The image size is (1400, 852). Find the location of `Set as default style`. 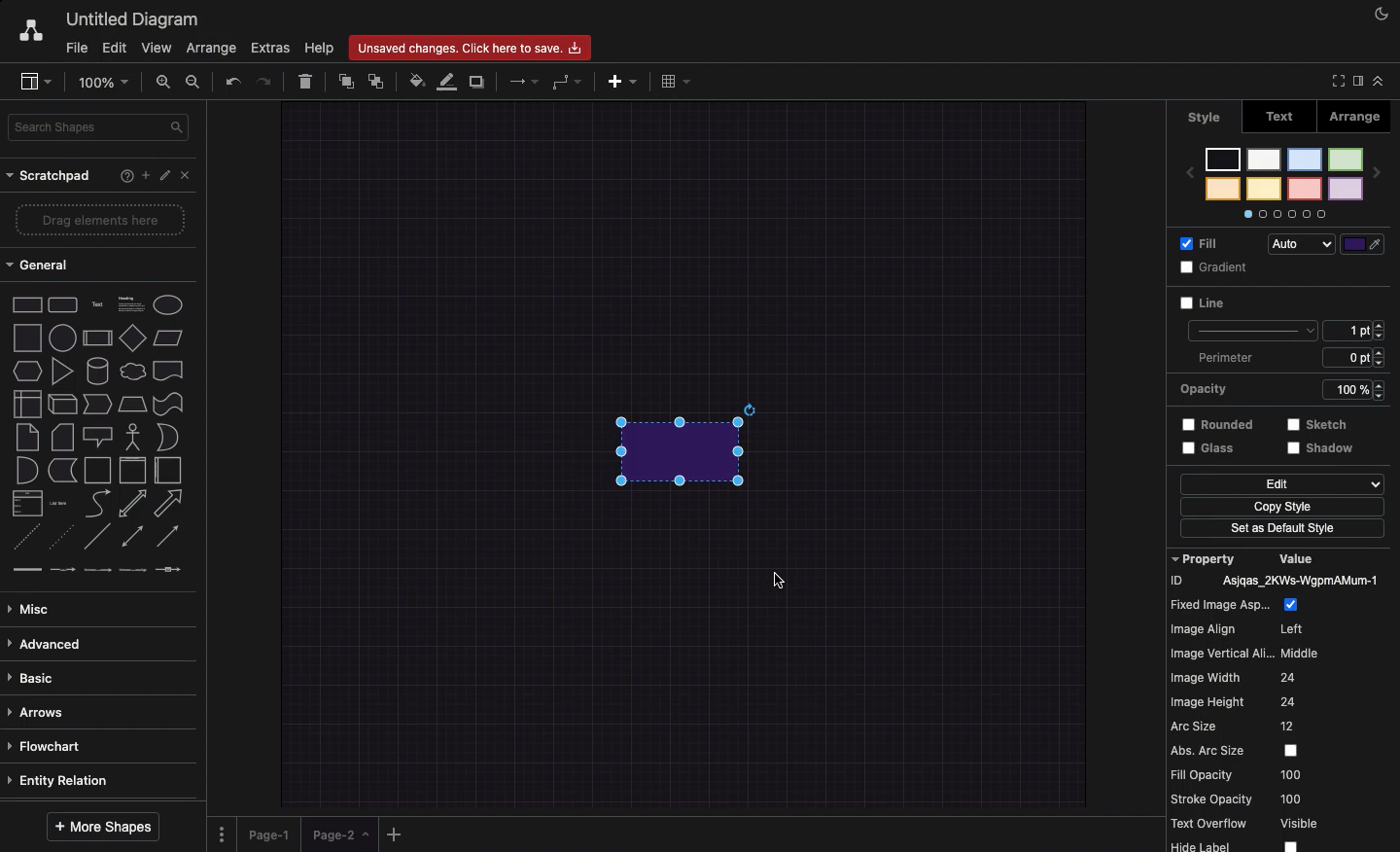

Set as default style is located at coordinates (1284, 530).